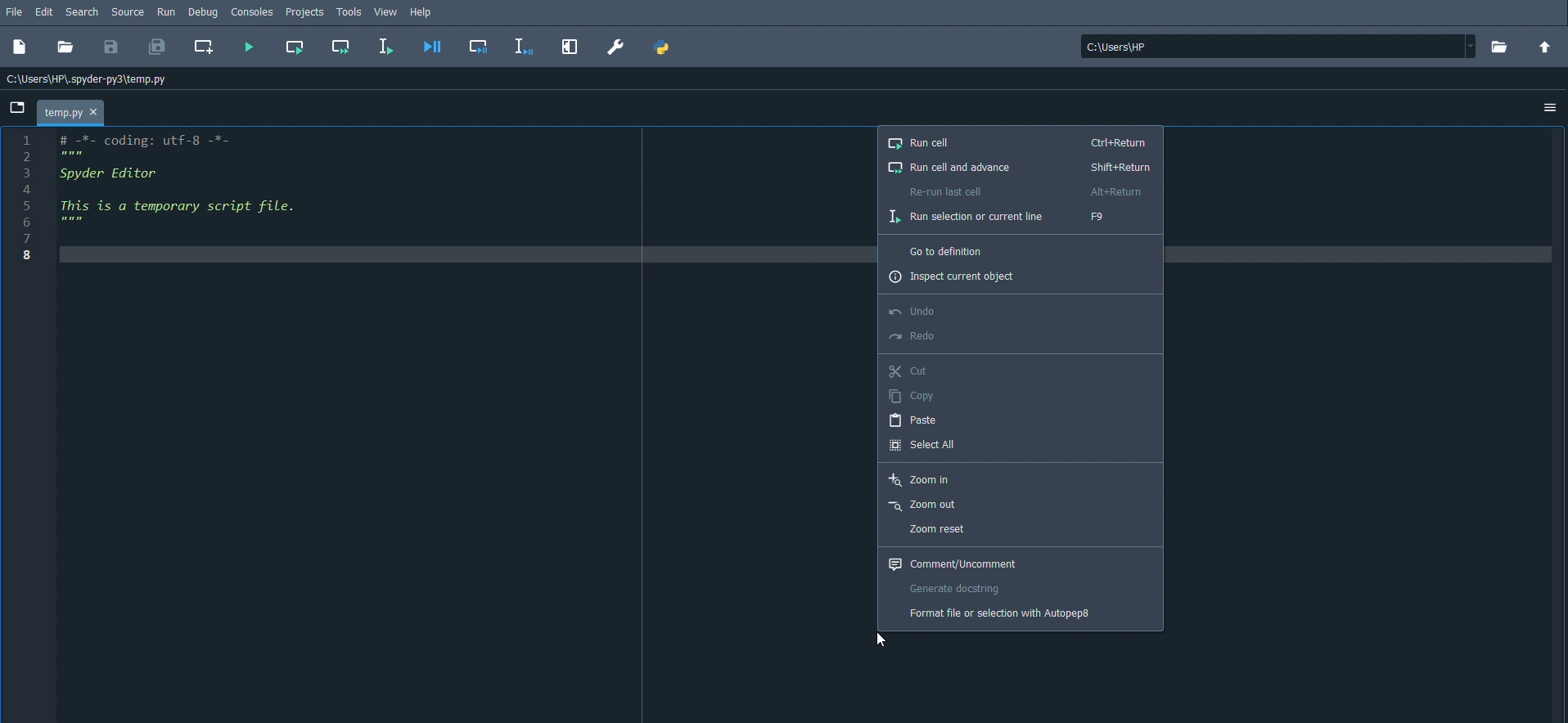 The width and height of the screenshot is (1568, 723). Describe the element at coordinates (956, 586) in the screenshot. I see `Generate docstring` at that location.